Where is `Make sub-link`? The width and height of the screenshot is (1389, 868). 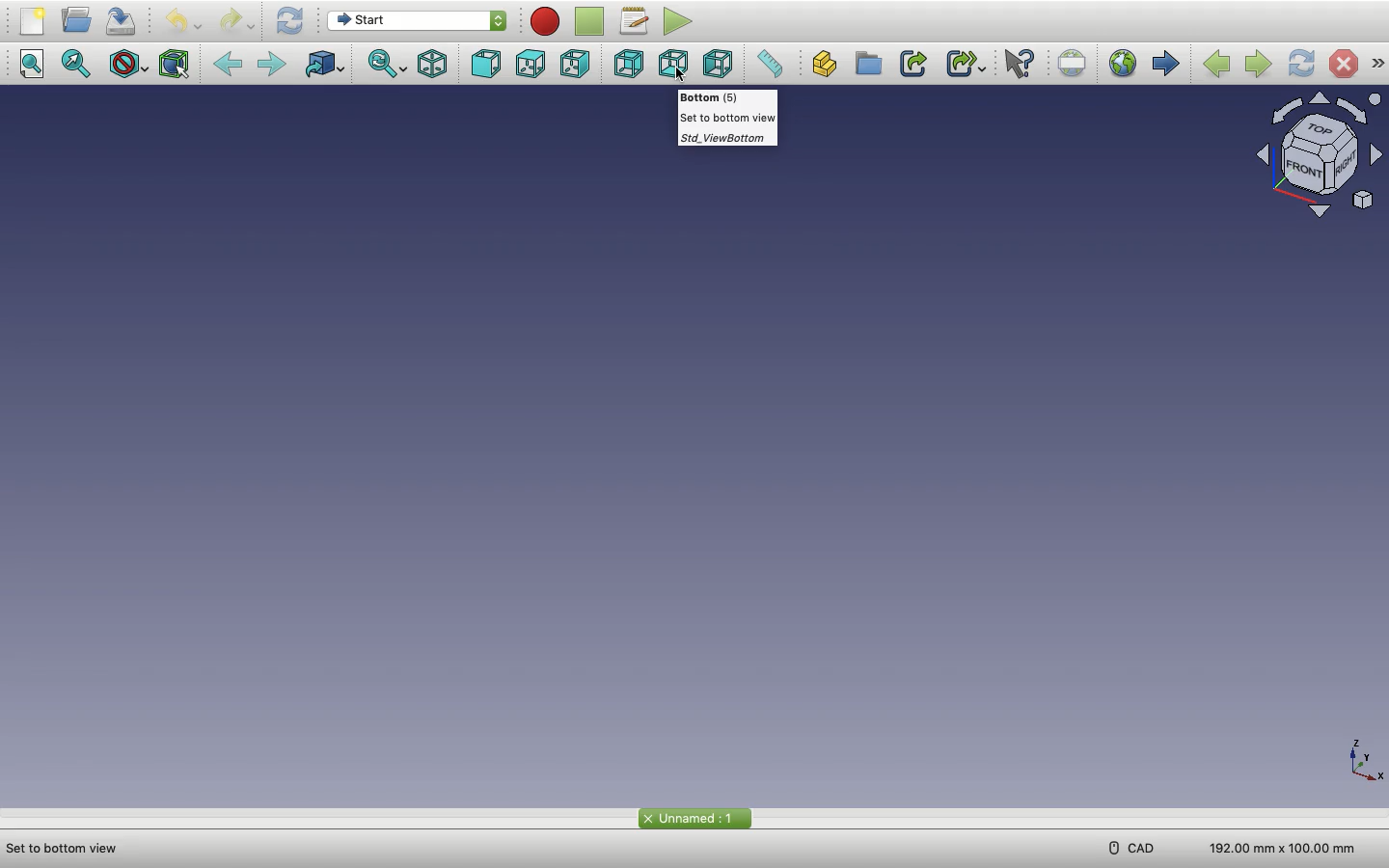 Make sub-link is located at coordinates (966, 65).